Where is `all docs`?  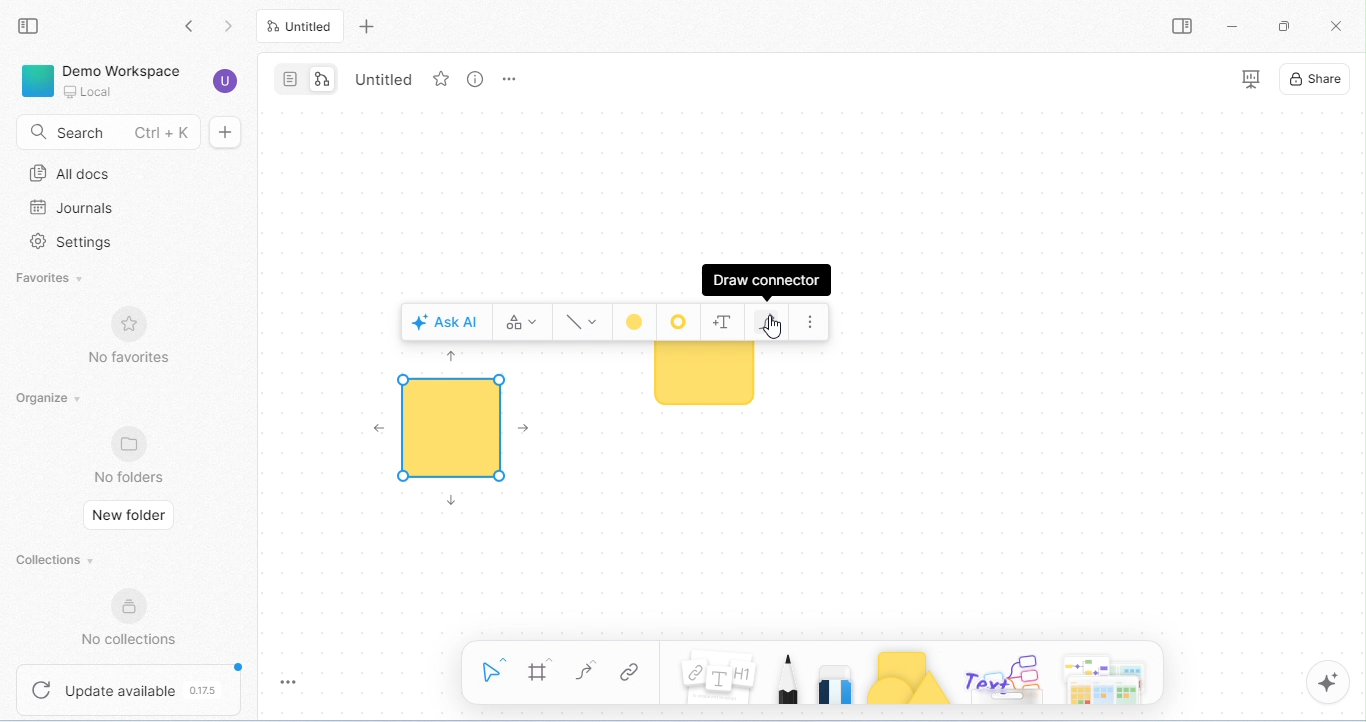 all docs is located at coordinates (72, 174).